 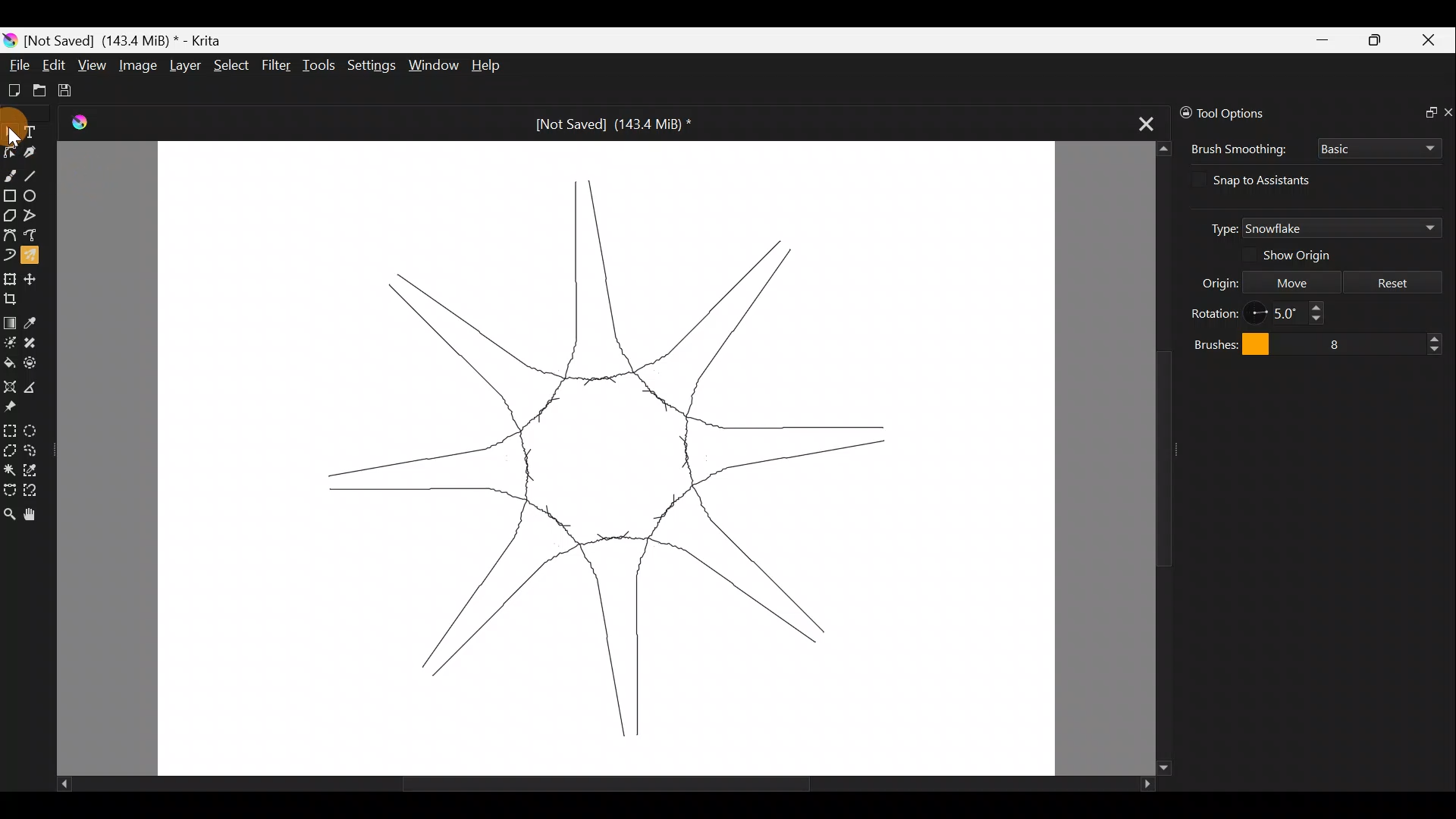 What do you see at coordinates (37, 491) in the screenshot?
I see `Magnetic curve selection tool` at bounding box center [37, 491].